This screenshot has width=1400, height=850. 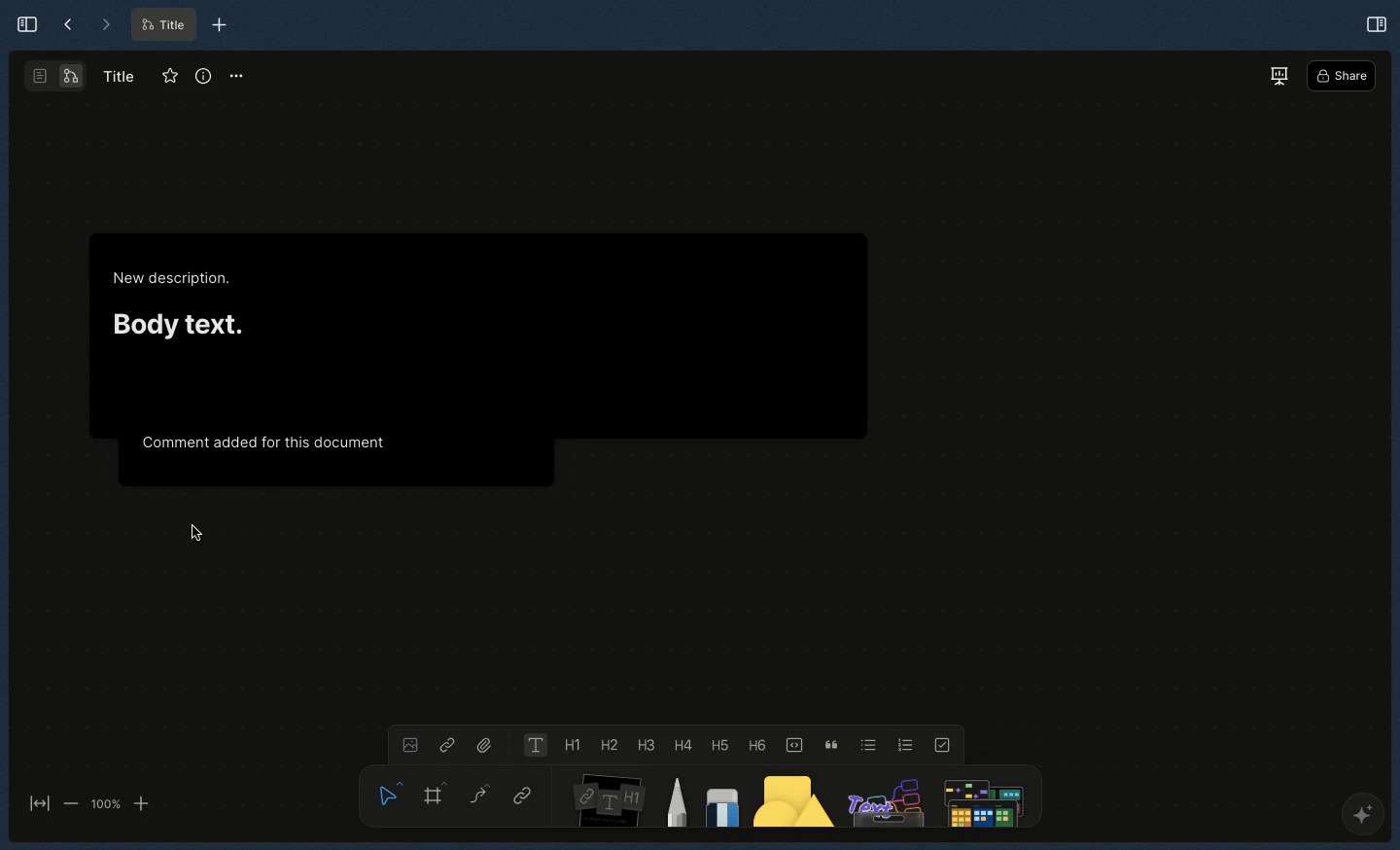 What do you see at coordinates (1278, 75) in the screenshot?
I see `Present` at bounding box center [1278, 75].